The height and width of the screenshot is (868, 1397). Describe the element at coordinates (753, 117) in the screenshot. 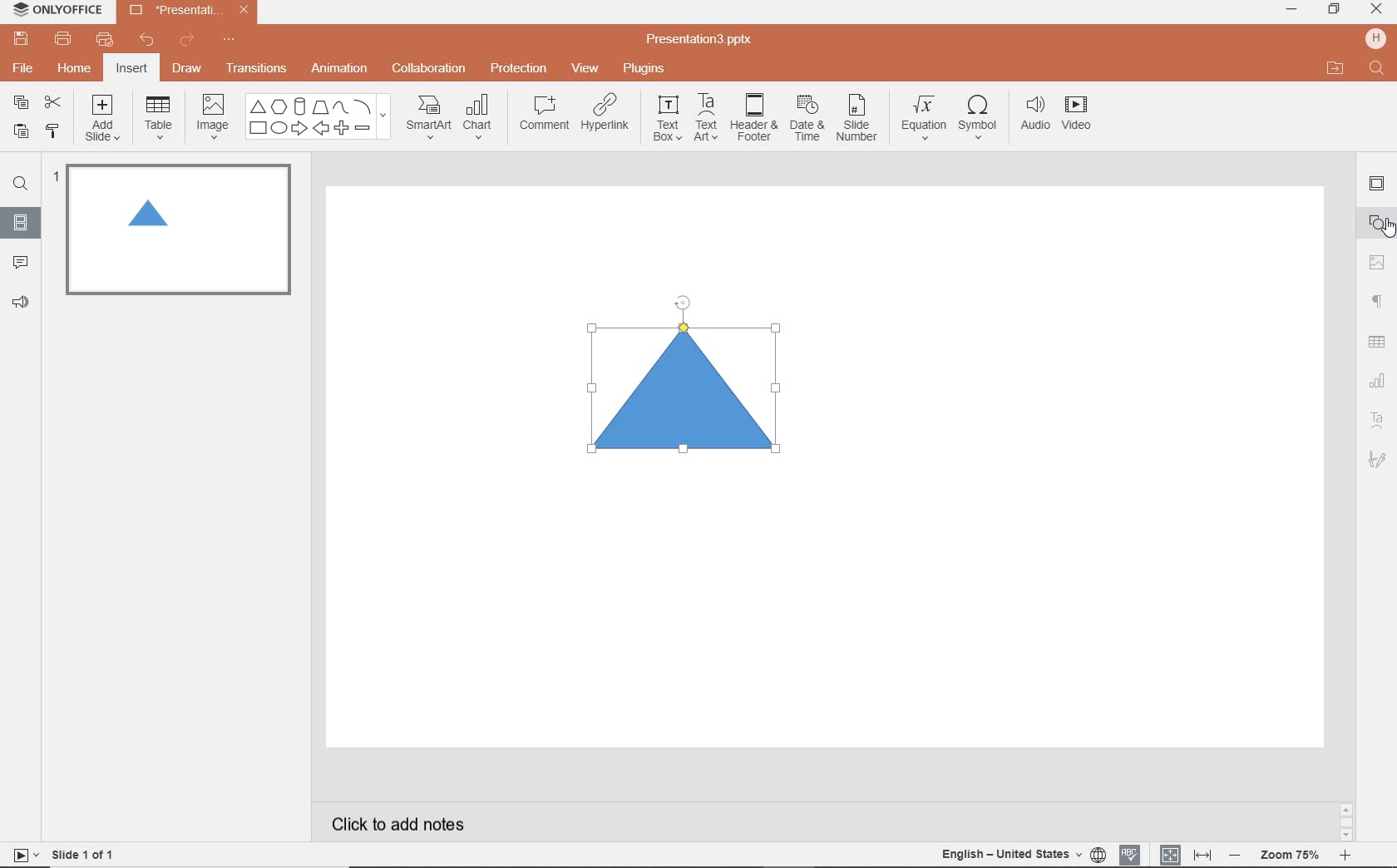

I see `HEADER & FOOTER` at that location.